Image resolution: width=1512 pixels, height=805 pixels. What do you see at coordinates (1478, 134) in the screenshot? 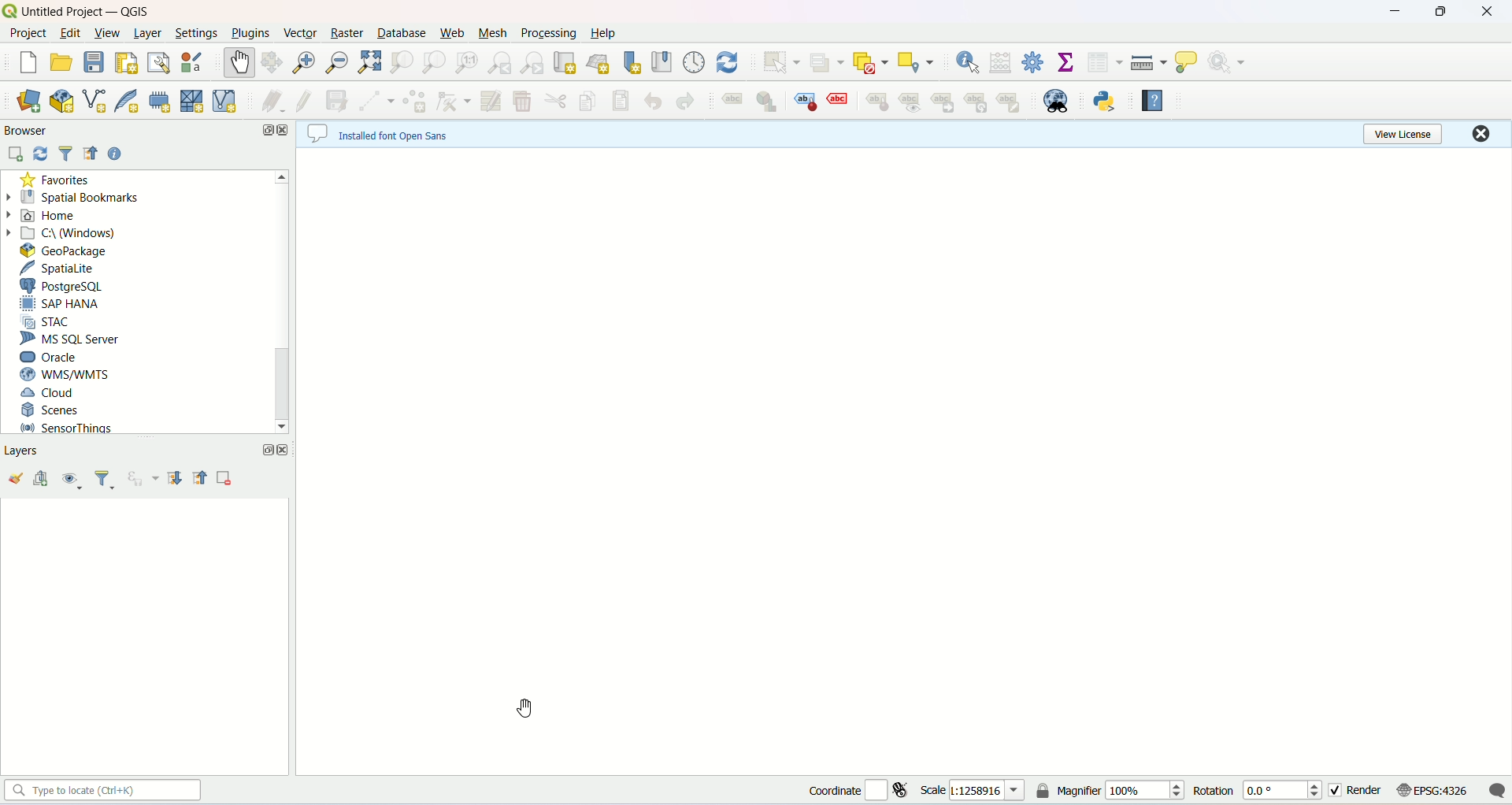
I see `close` at bounding box center [1478, 134].